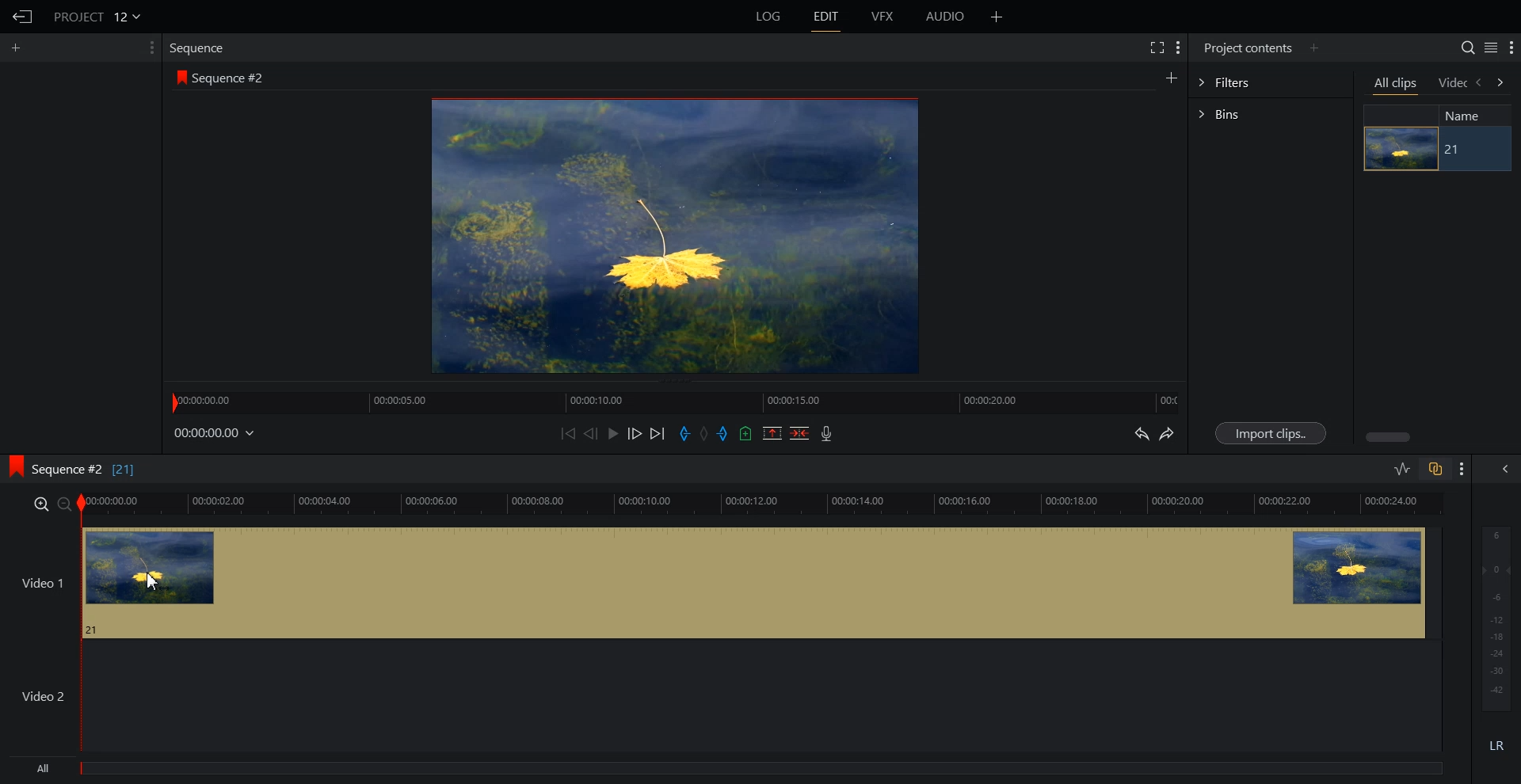 The image size is (1521, 784). What do you see at coordinates (1169, 435) in the screenshot?
I see `Redo` at bounding box center [1169, 435].